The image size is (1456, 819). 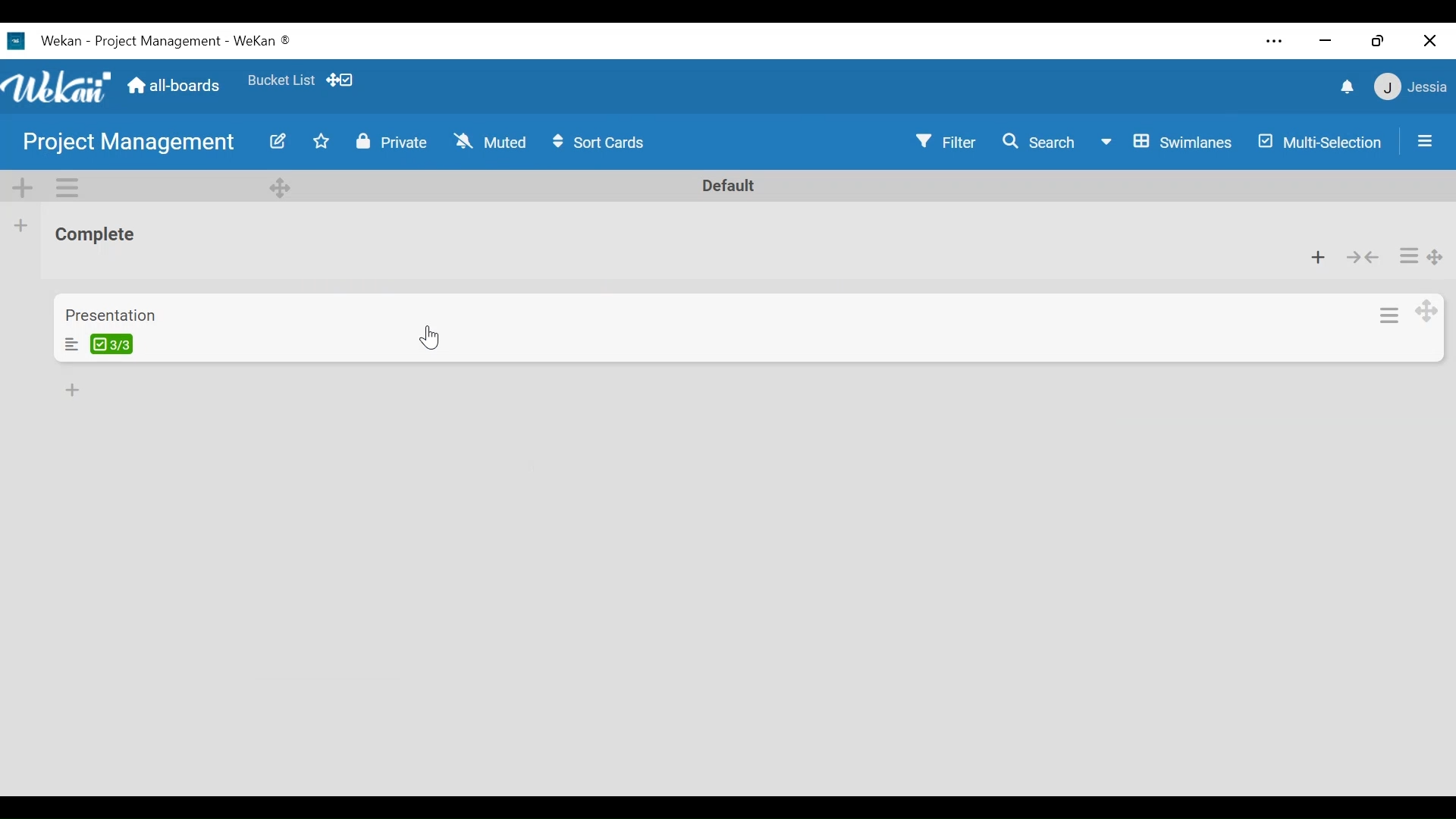 I want to click on card actions, so click(x=1408, y=255).